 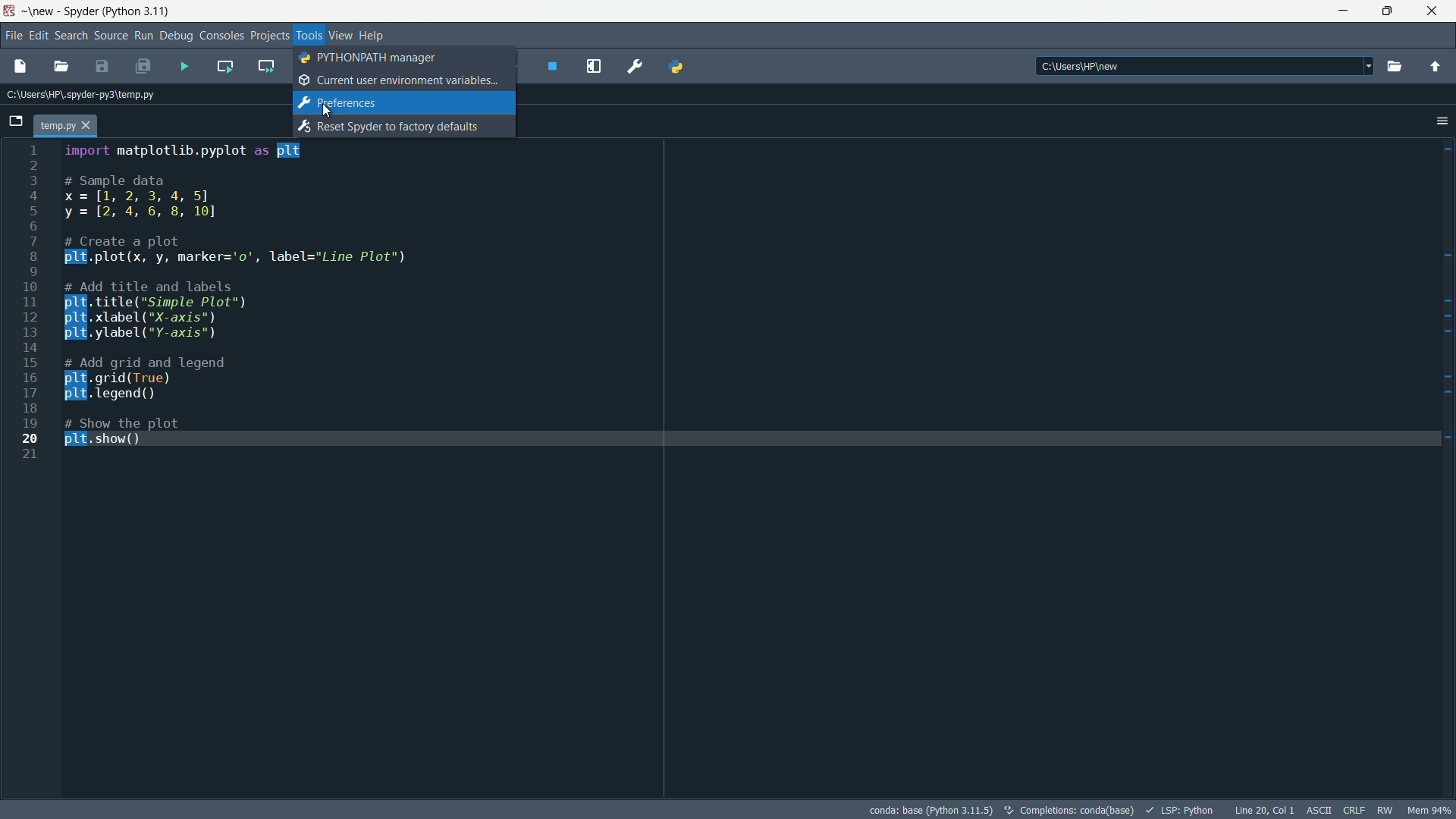 What do you see at coordinates (1344, 11) in the screenshot?
I see `minimize` at bounding box center [1344, 11].